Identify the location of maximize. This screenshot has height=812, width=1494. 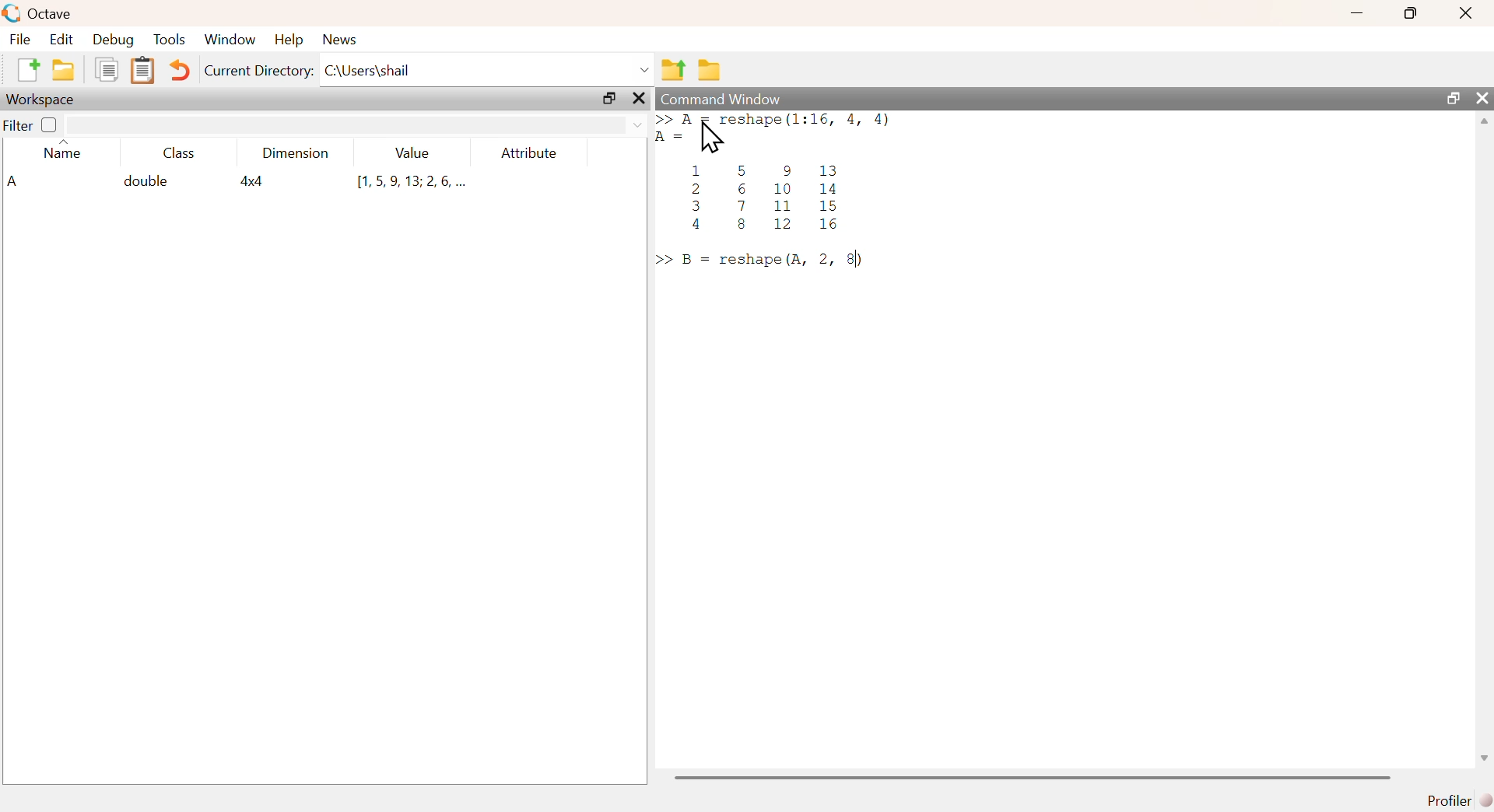
(1450, 97).